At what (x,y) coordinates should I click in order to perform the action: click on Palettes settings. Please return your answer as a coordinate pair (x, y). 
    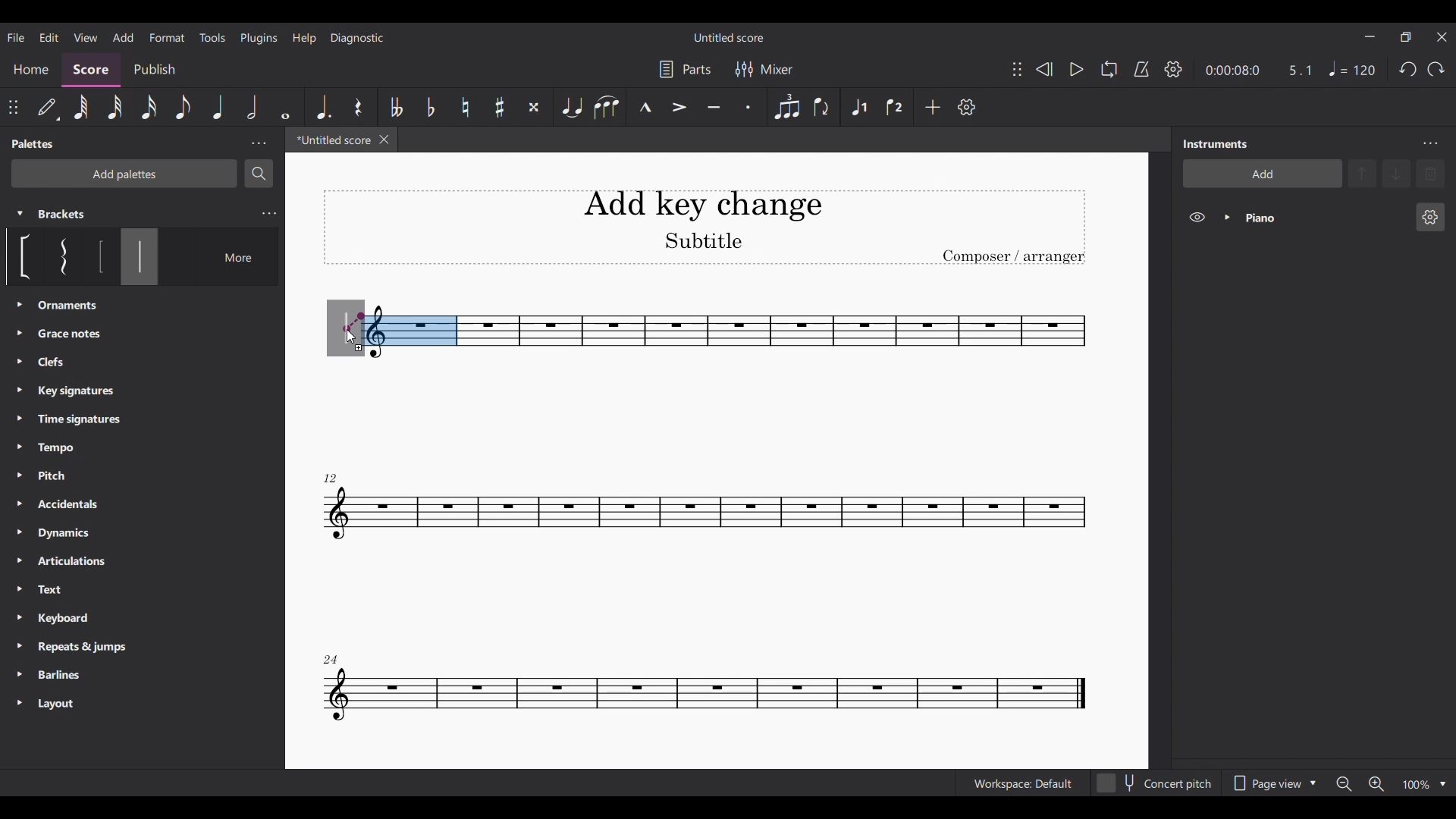
    Looking at the image, I should click on (259, 143).